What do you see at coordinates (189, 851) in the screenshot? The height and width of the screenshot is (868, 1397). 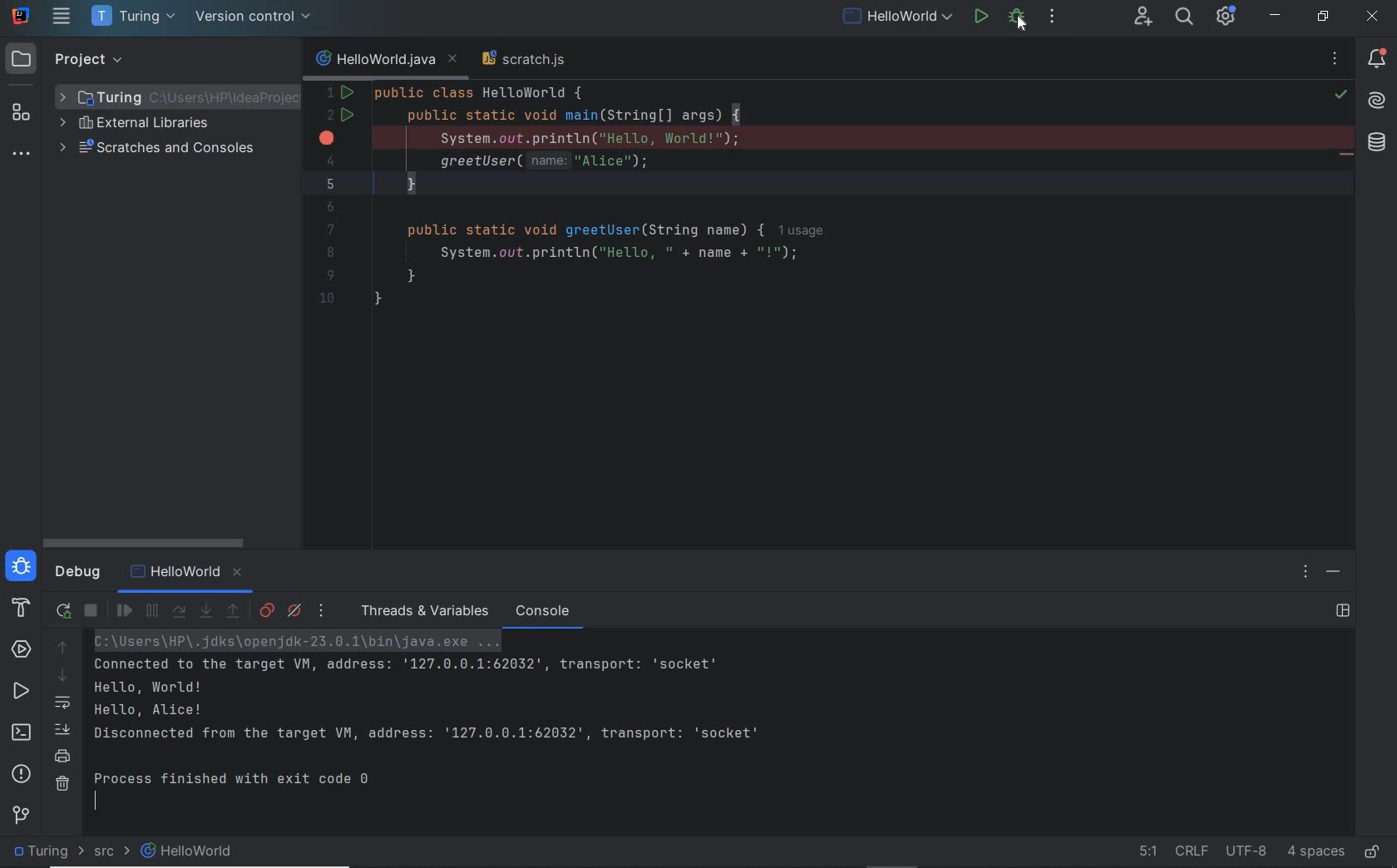 I see `file name` at bounding box center [189, 851].